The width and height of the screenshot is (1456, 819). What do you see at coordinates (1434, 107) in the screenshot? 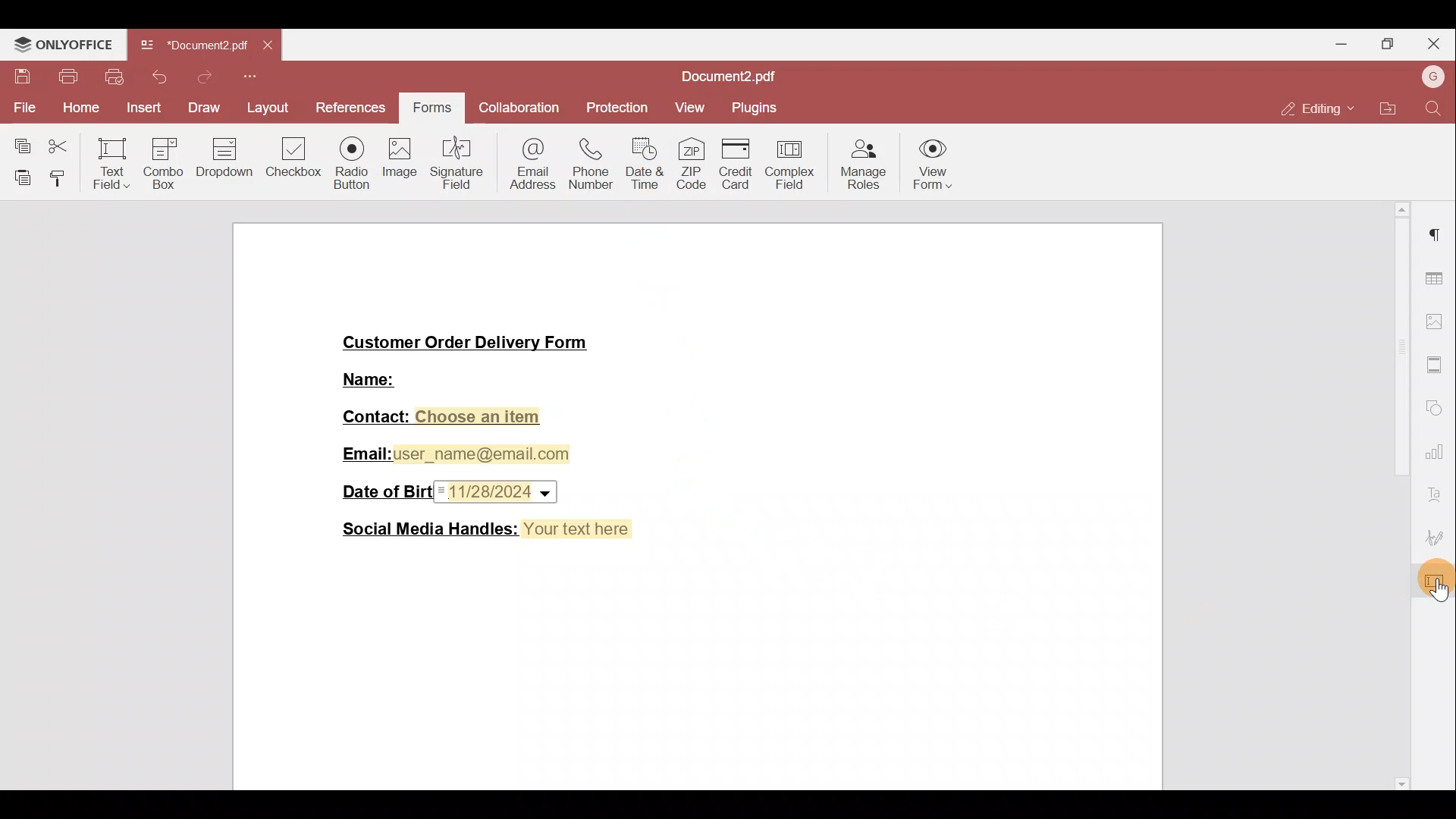
I see `Find` at bounding box center [1434, 107].